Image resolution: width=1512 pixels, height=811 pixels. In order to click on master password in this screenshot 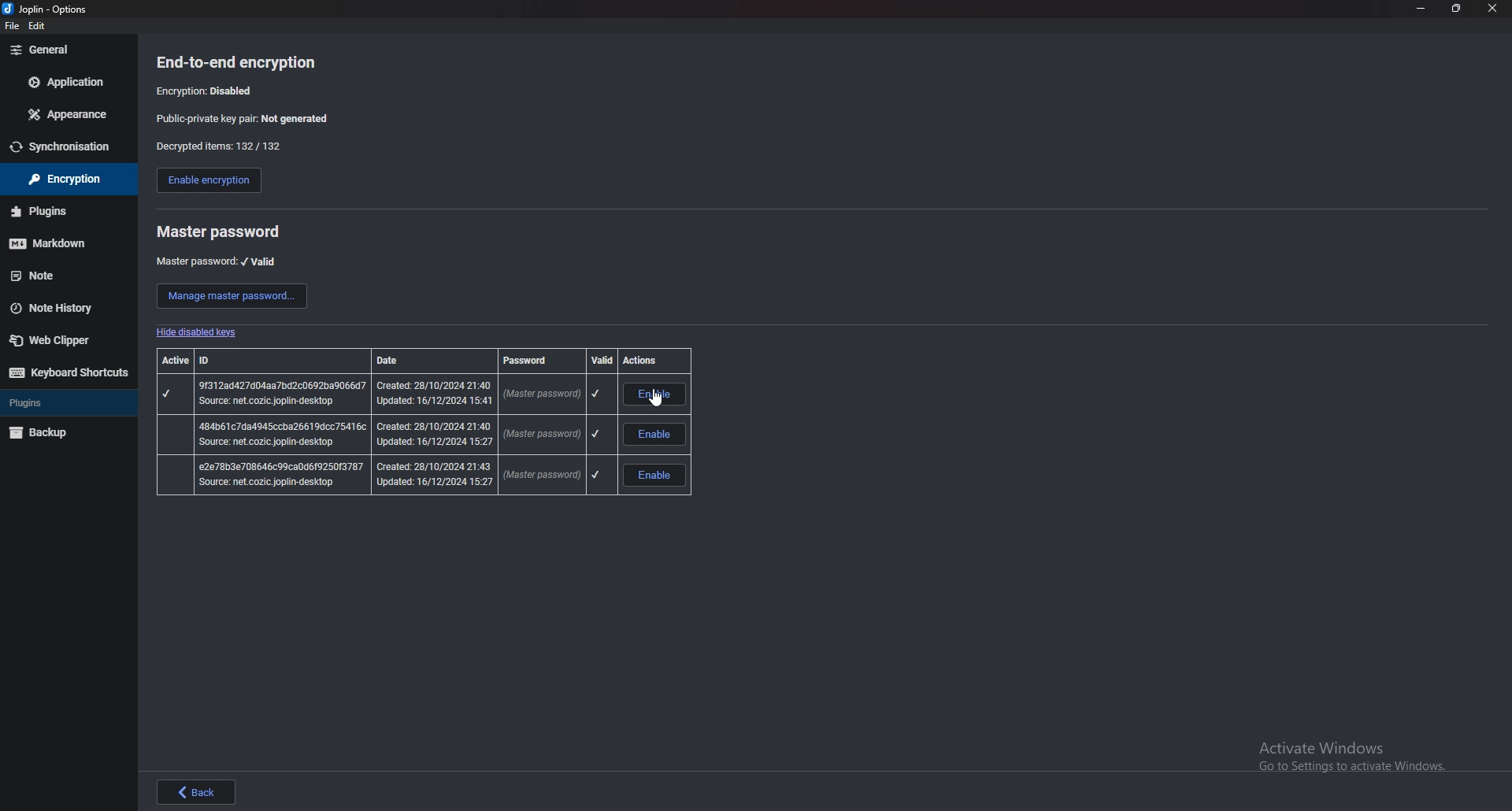, I will do `click(384, 394)`.